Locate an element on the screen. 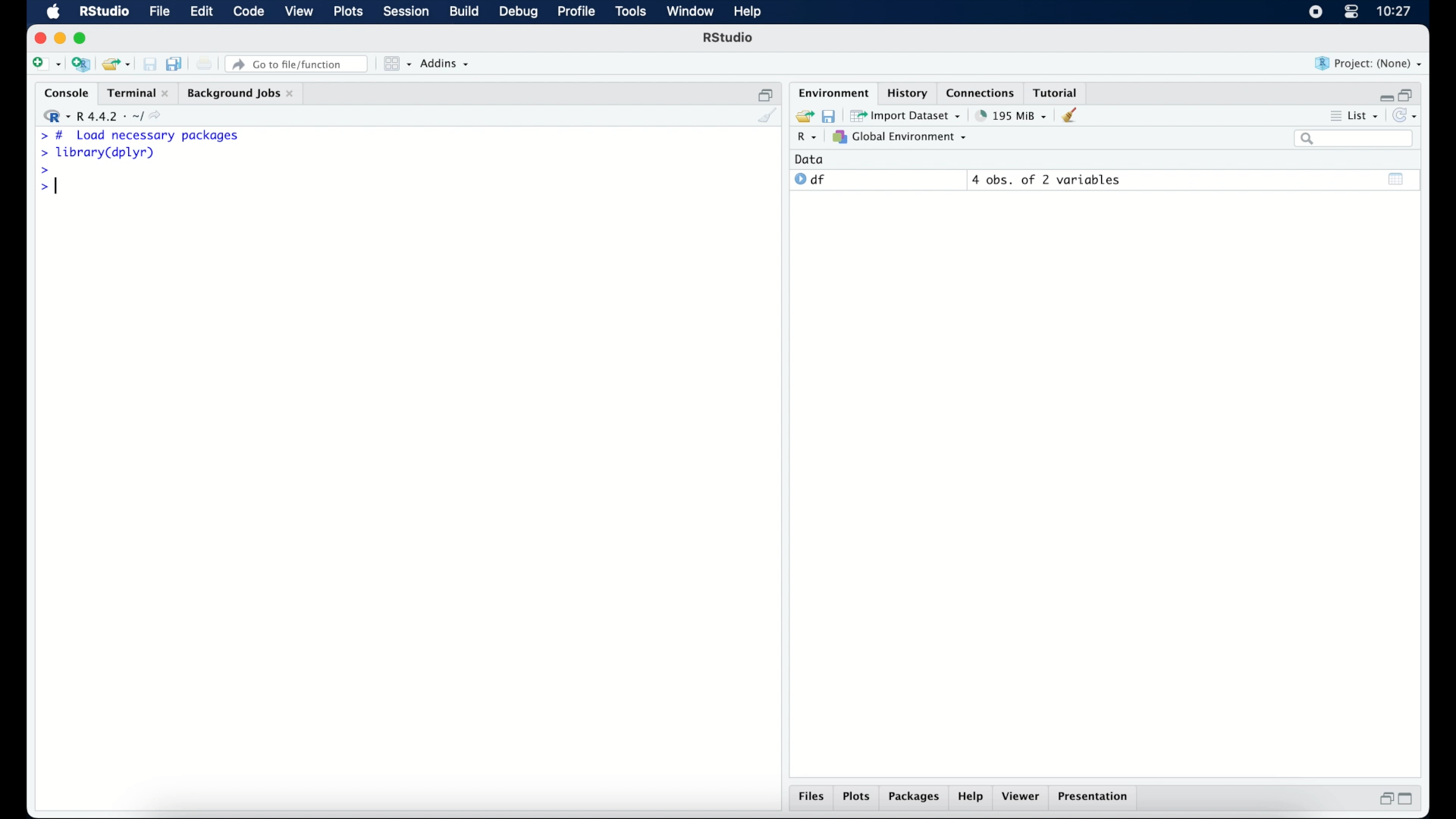  df is located at coordinates (810, 180).